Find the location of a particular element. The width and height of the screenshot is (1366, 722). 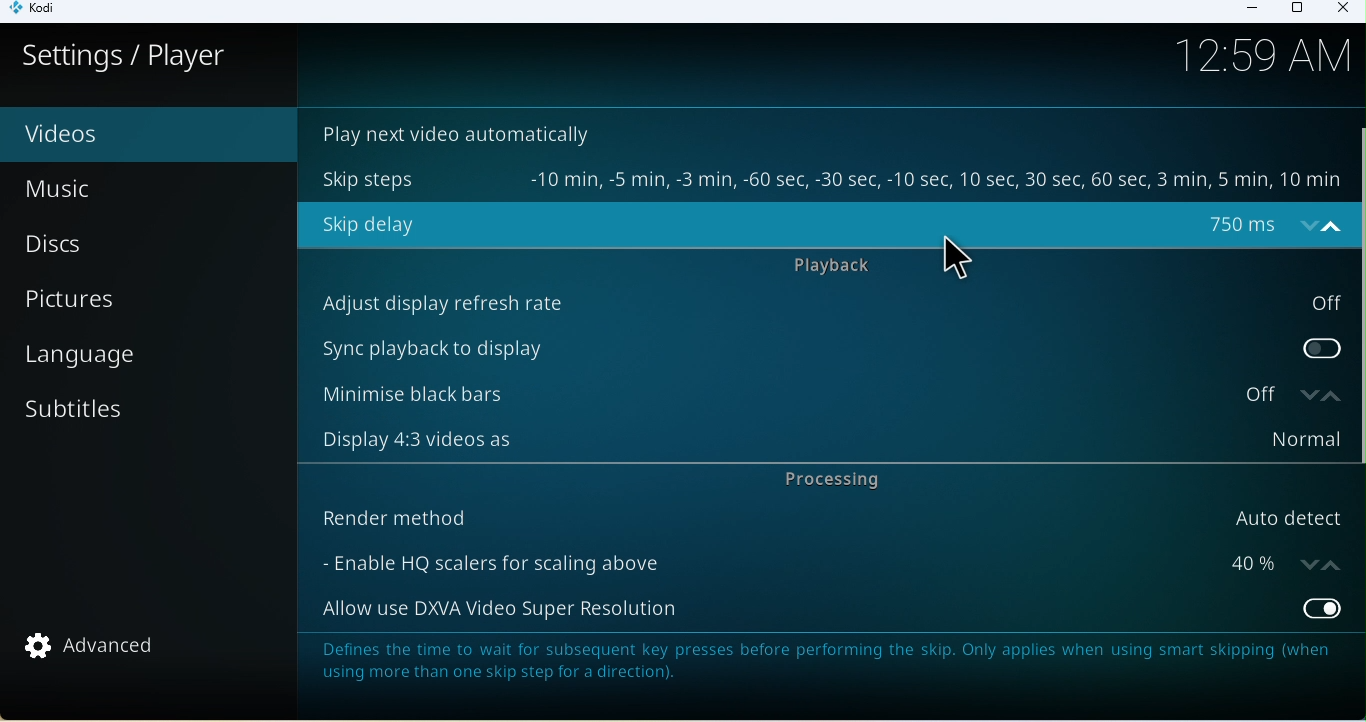

Music is located at coordinates (106, 189).